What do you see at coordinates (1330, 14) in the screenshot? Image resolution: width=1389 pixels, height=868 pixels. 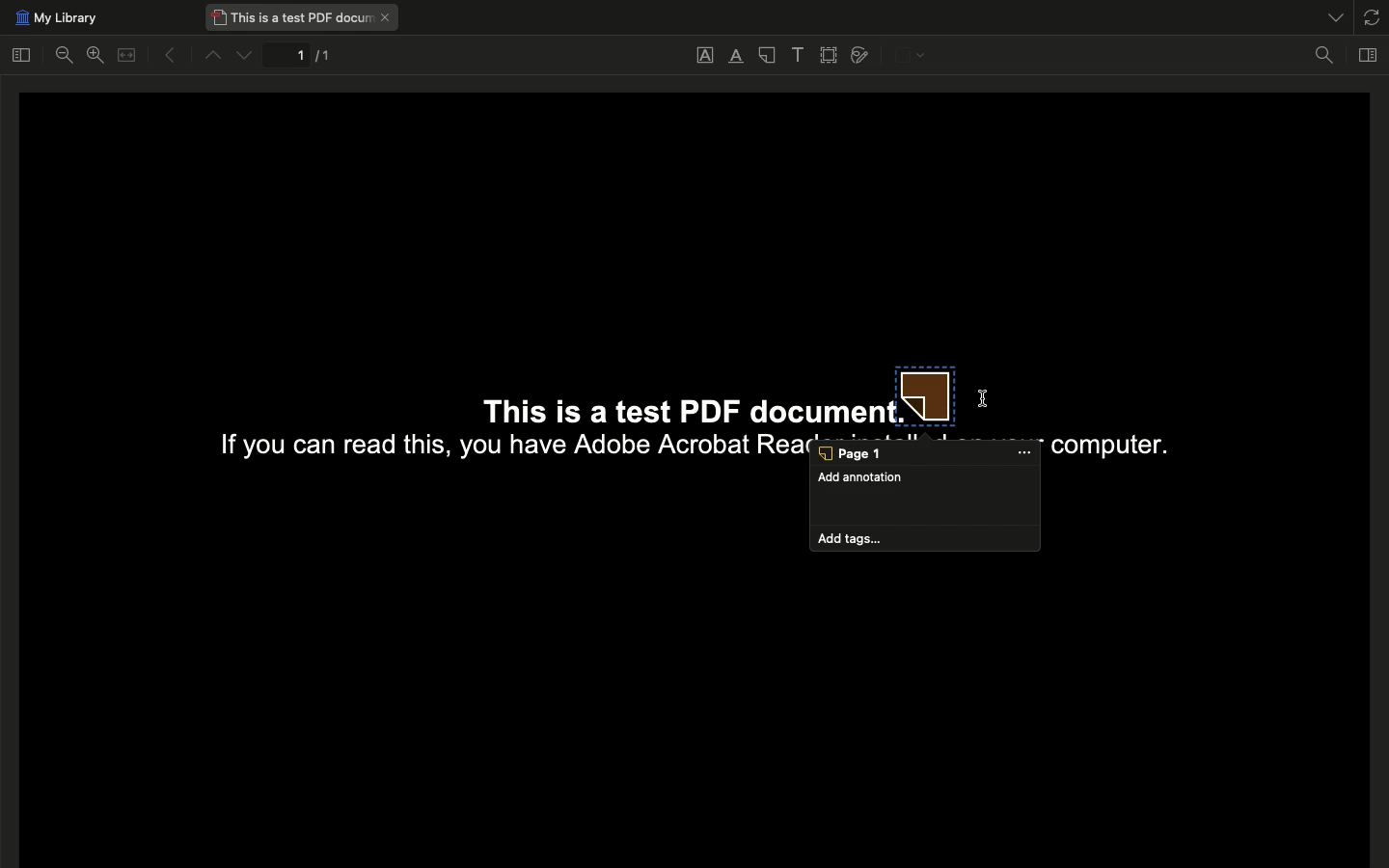 I see `List all tabs` at bounding box center [1330, 14].